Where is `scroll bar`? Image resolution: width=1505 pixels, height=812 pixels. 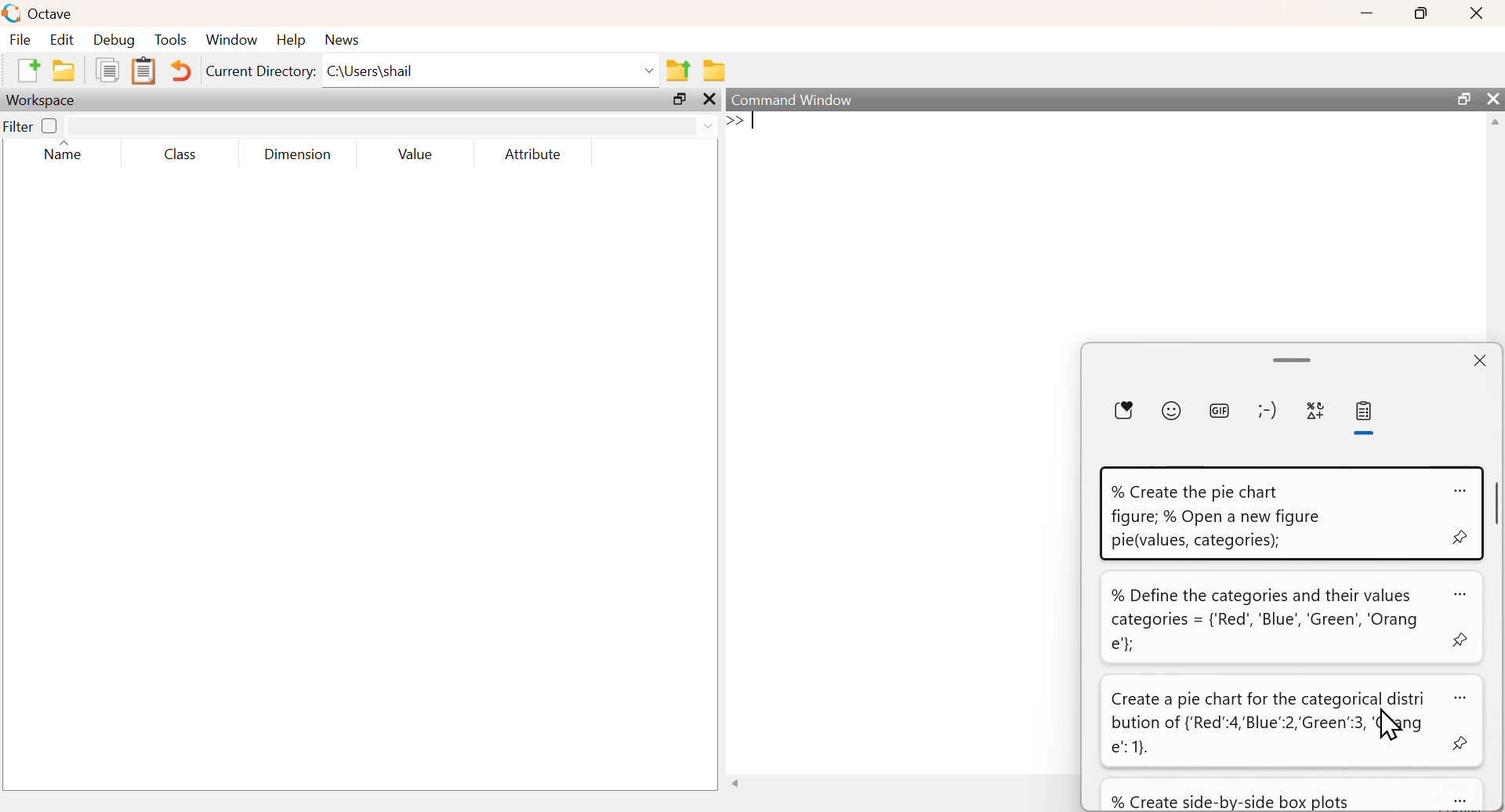 scroll bar is located at coordinates (1498, 503).